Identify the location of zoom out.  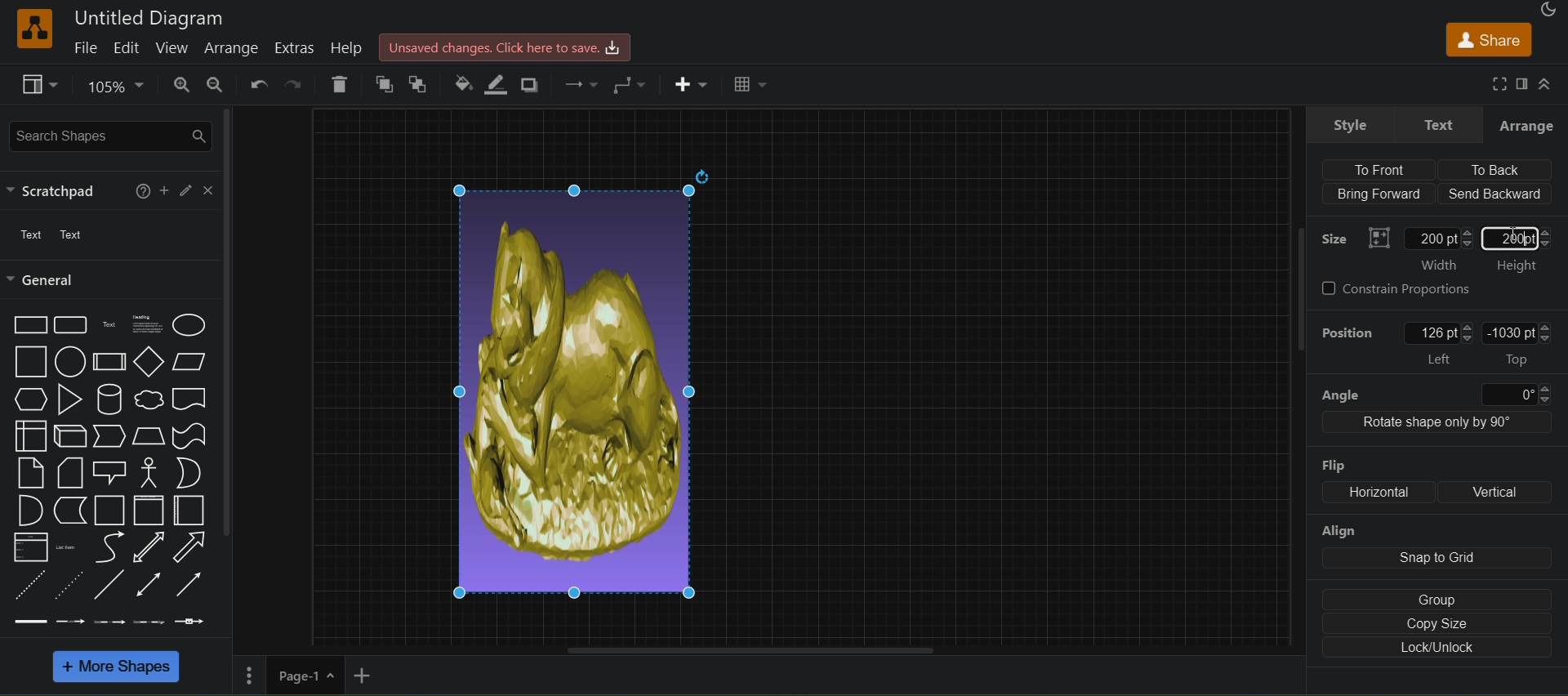
(213, 85).